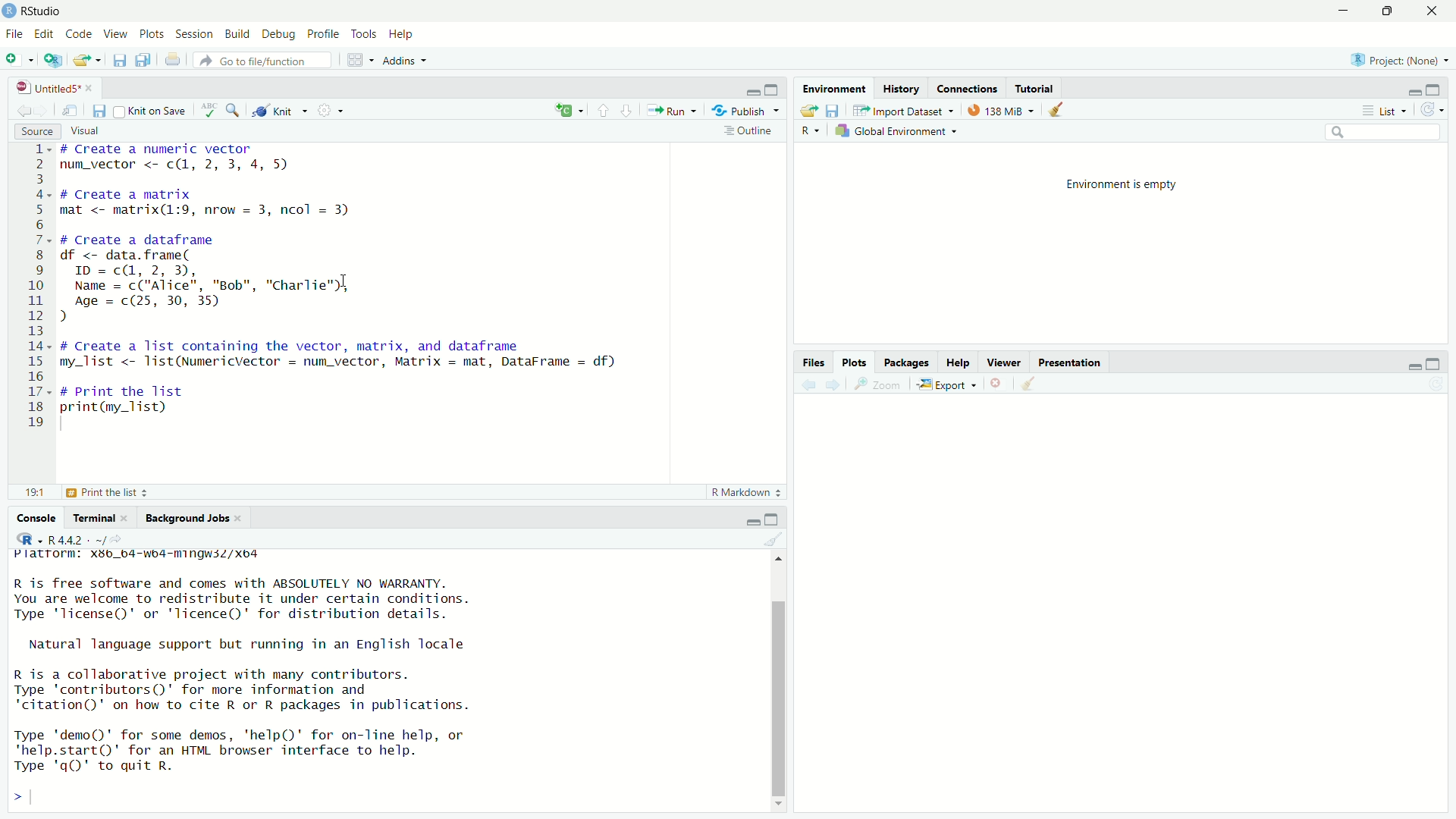 This screenshot has height=819, width=1456. What do you see at coordinates (971, 88) in the screenshot?
I see `Connections` at bounding box center [971, 88].